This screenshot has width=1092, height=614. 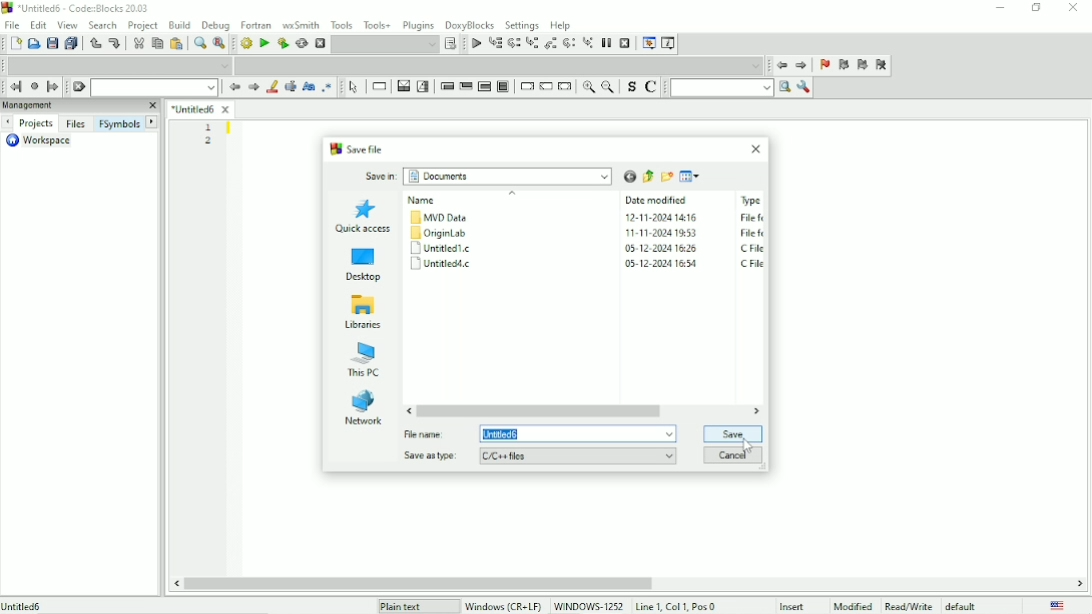 I want to click on Step out, so click(x=552, y=45).